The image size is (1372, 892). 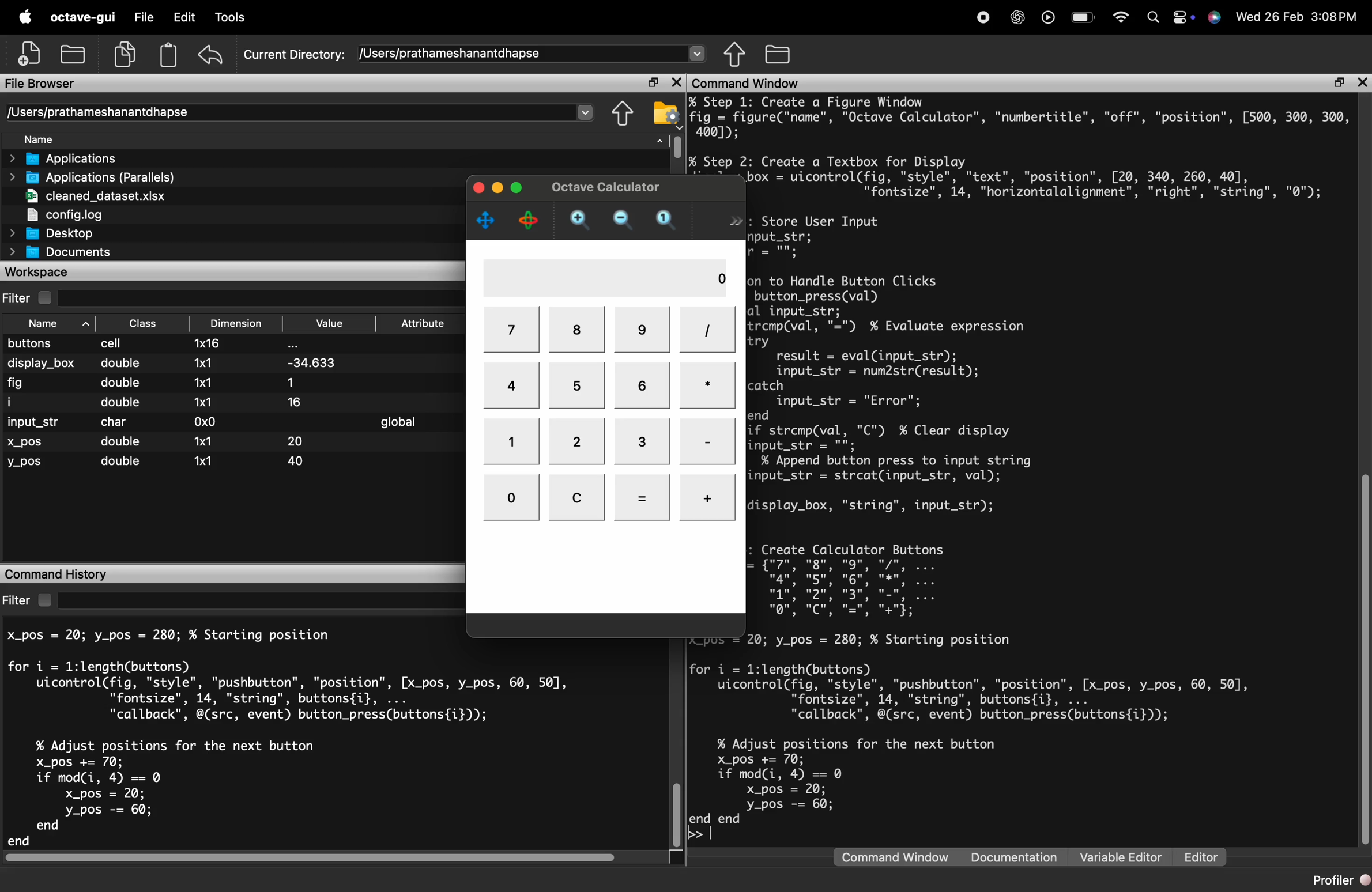 I want to click on display_box, so click(x=39, y=362).